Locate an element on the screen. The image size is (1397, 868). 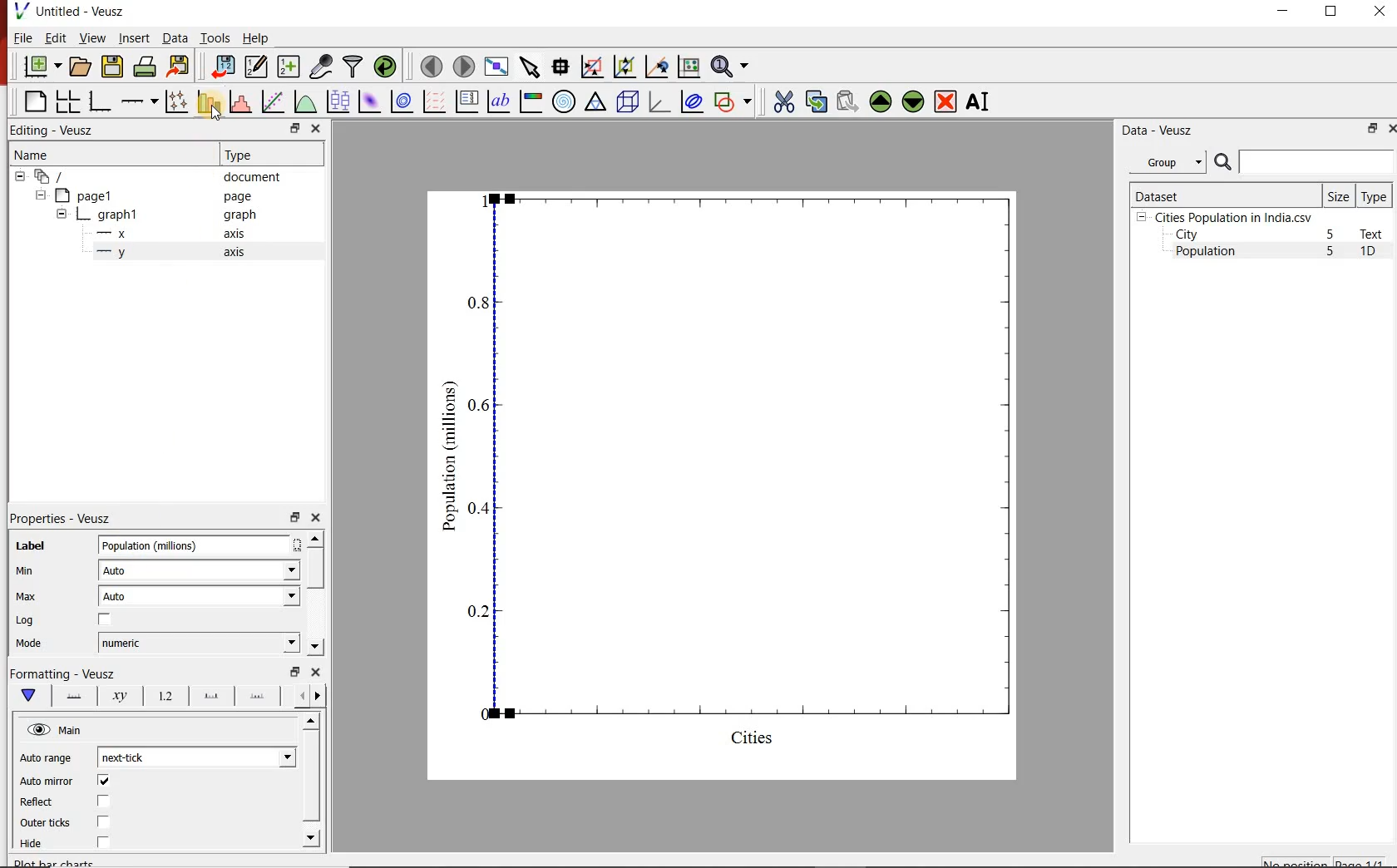
new document is located at coordinates (39, 67).